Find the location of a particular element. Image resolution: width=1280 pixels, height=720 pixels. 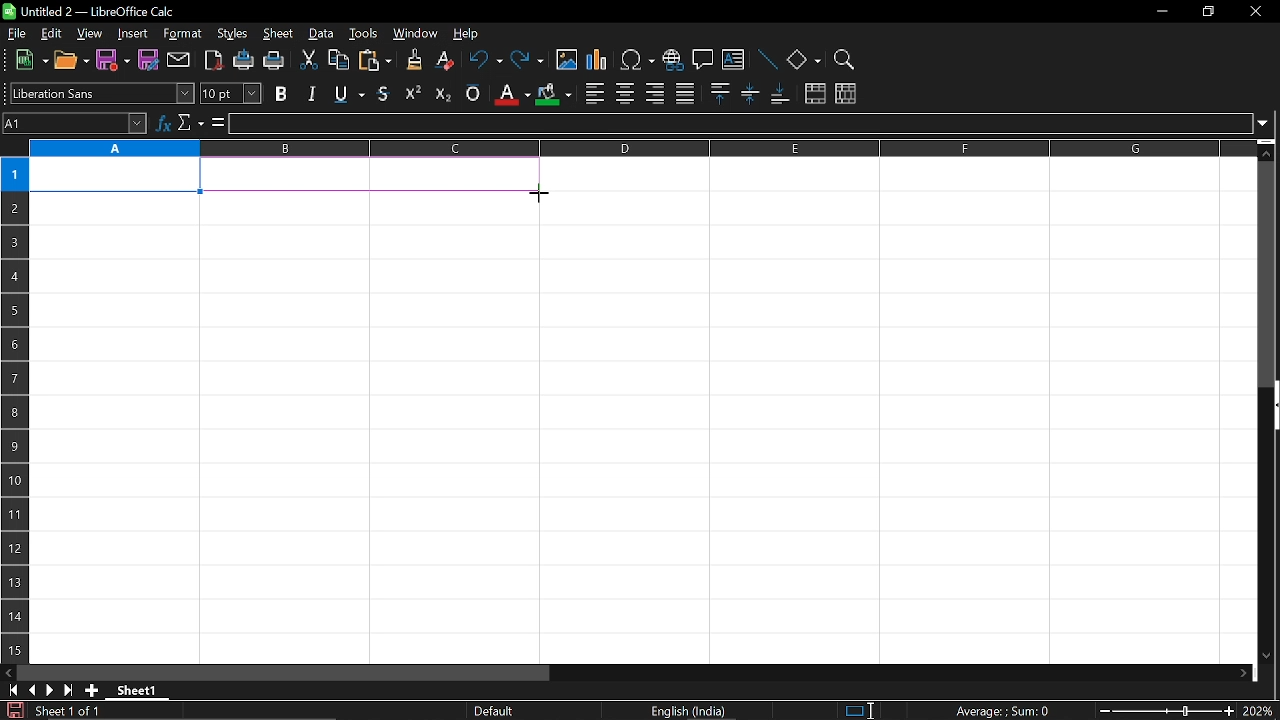

insert chart is located at coordinates (598, 61).